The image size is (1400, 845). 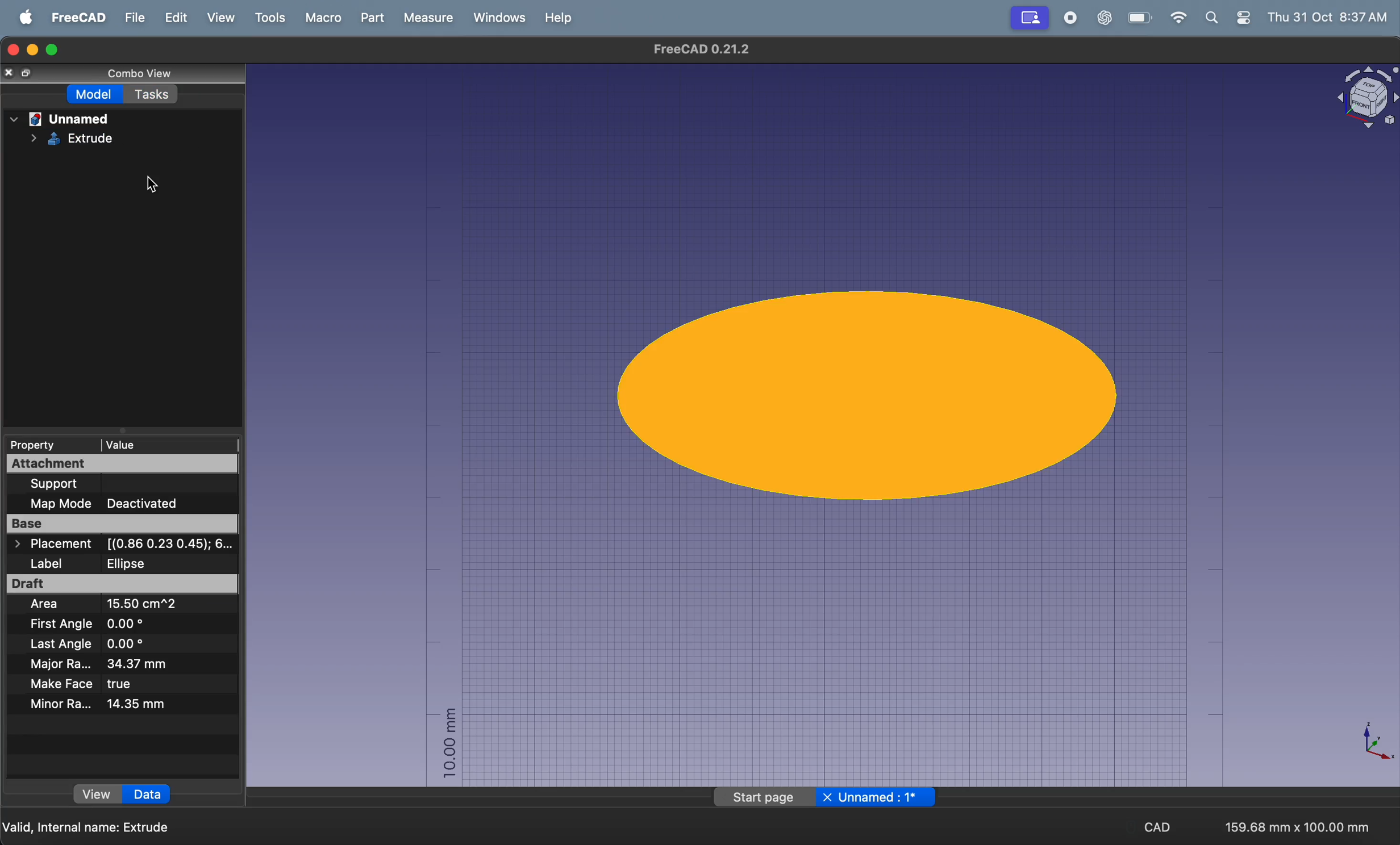 What do you see at coordinates (74, 19) in the screenshot?
I see `freecad` at bounding box center [74, 19].